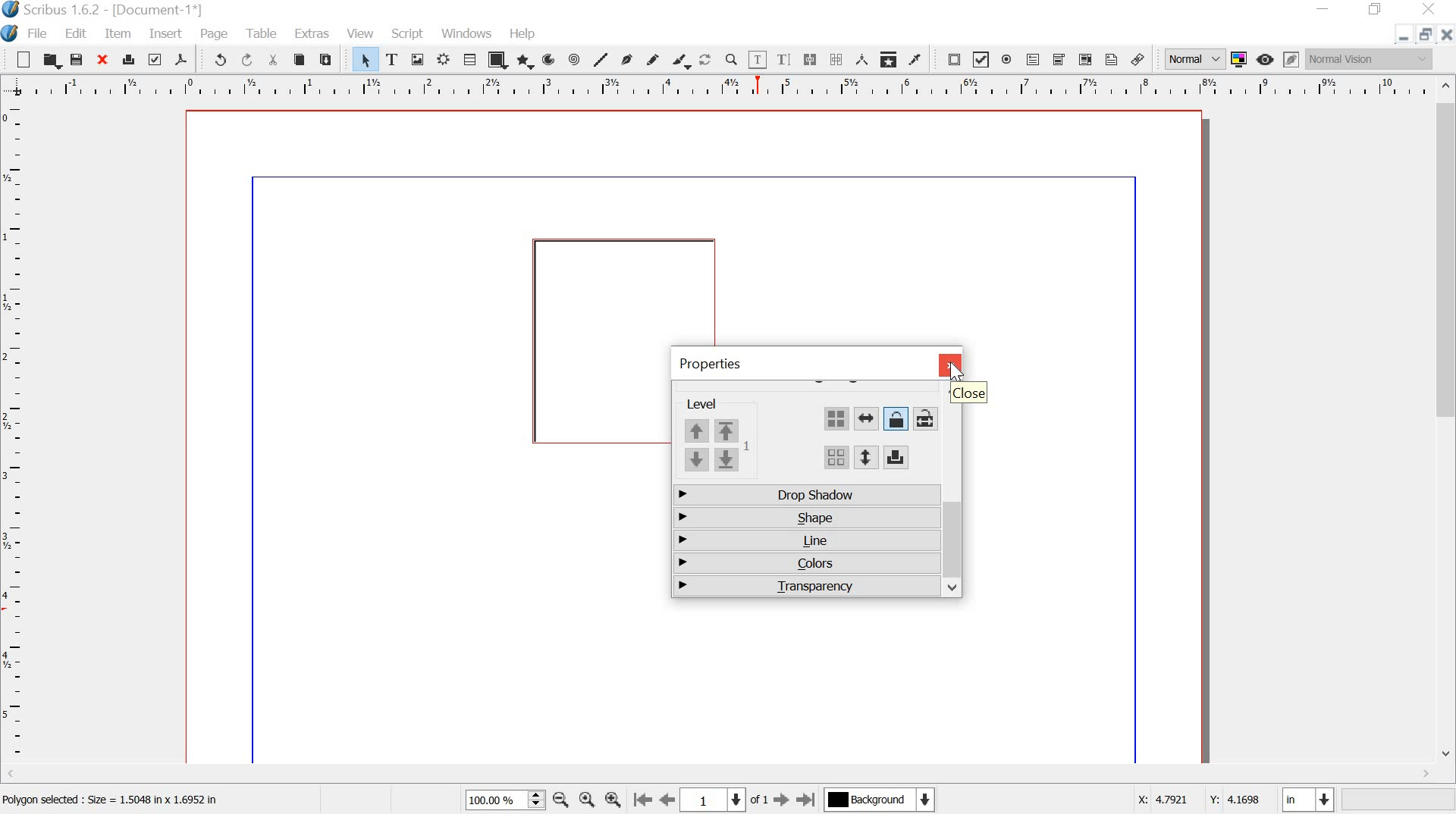 This screenshot has width=1456, height=814. Describe the element at coordinates (810, 60) in the screenshot. I see `link text frames` at that location.